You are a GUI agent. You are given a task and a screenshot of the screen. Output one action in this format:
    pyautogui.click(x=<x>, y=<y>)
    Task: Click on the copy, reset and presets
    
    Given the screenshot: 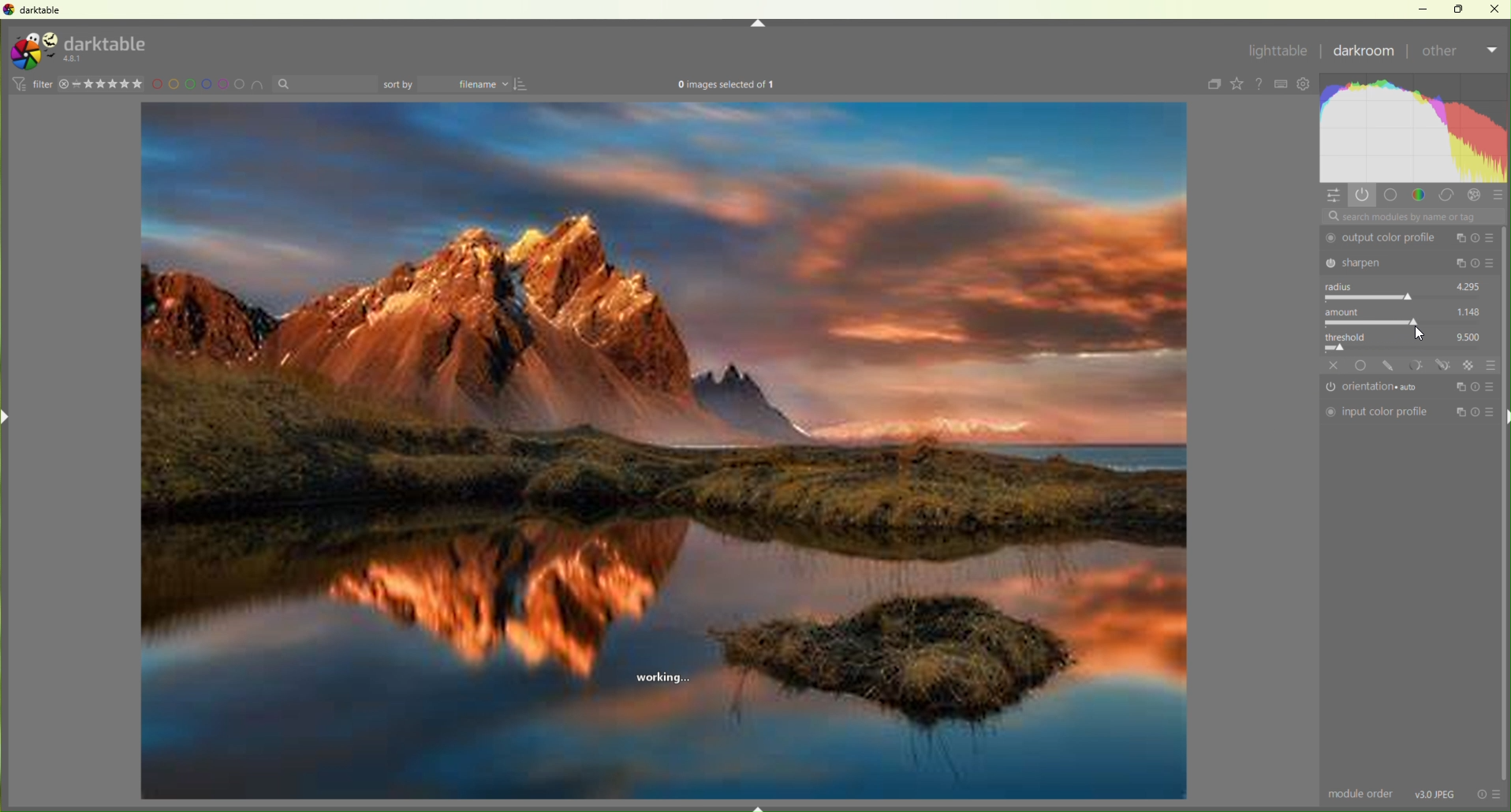 What is the action you would take?
    pyautogui.click(x=1476, y=264)
    